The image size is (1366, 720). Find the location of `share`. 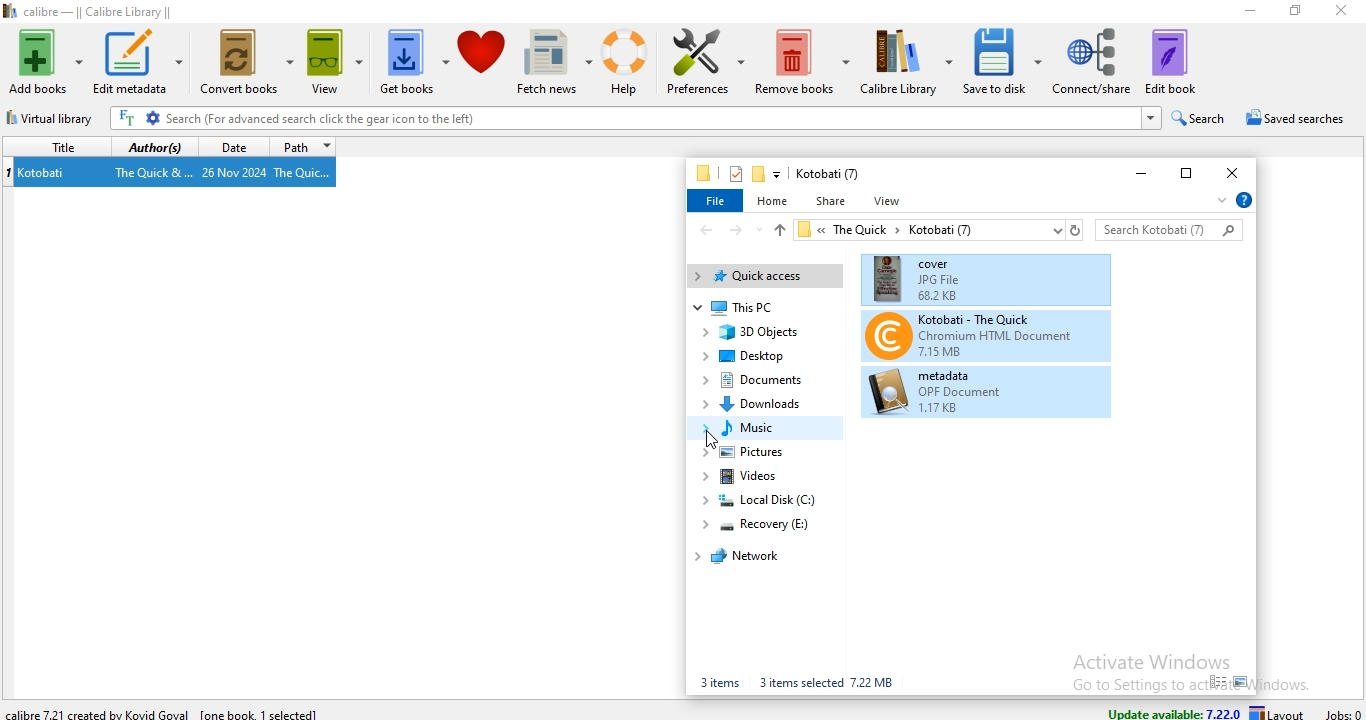

share is located at coordinates (830, 201).